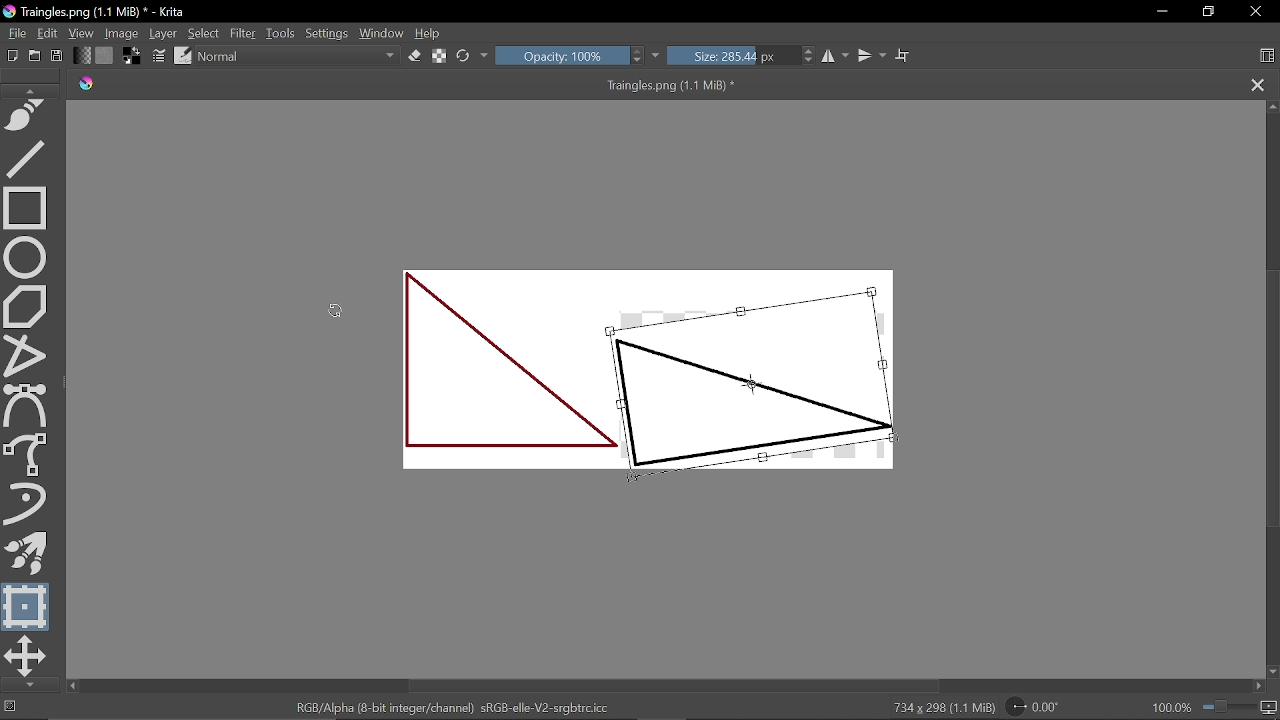 This screenshot has width=1280, height=720. I want to click on Multibrush tool, so click(27, 554).